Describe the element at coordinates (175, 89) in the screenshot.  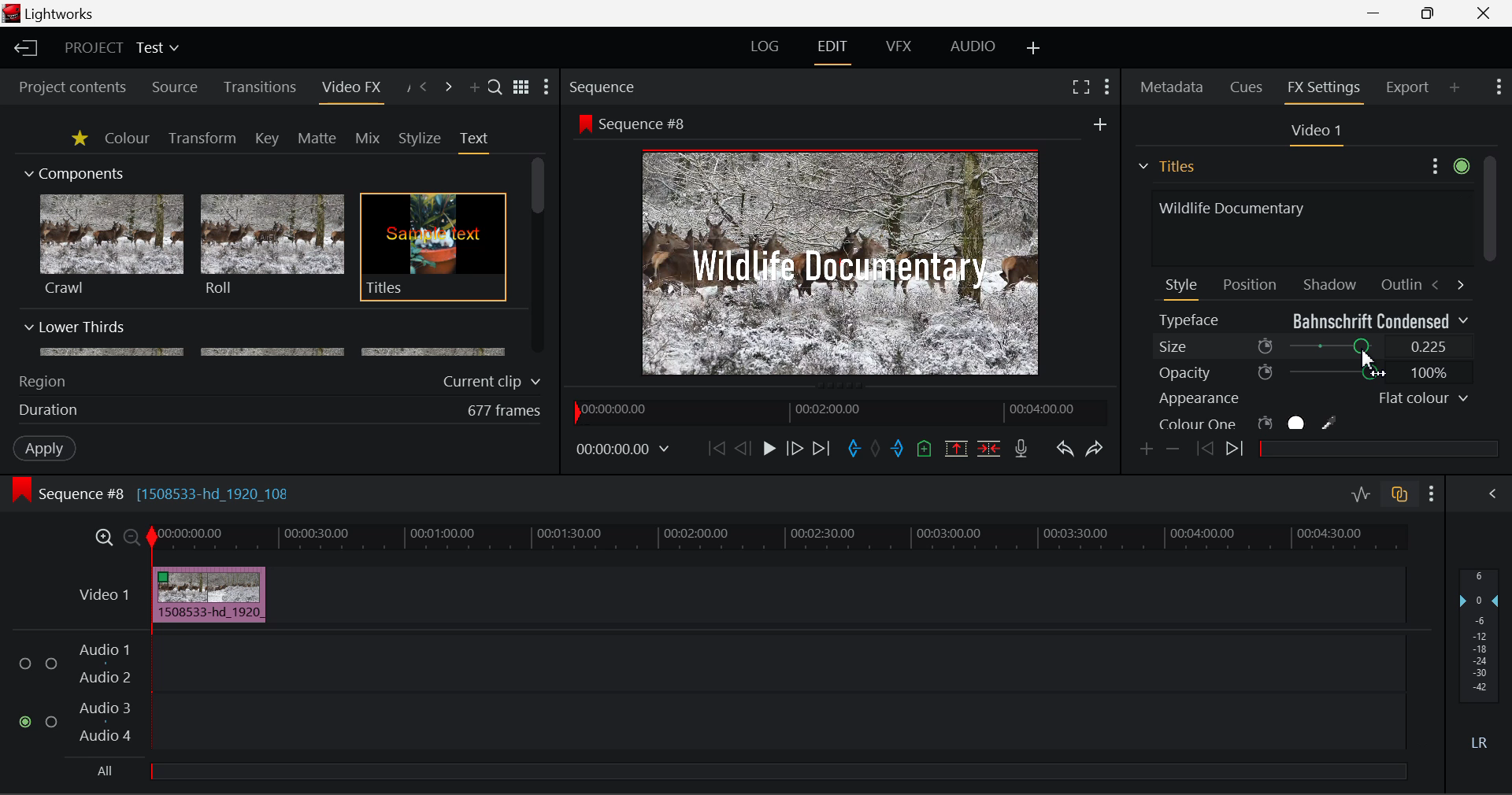
I see `Source` at that location.